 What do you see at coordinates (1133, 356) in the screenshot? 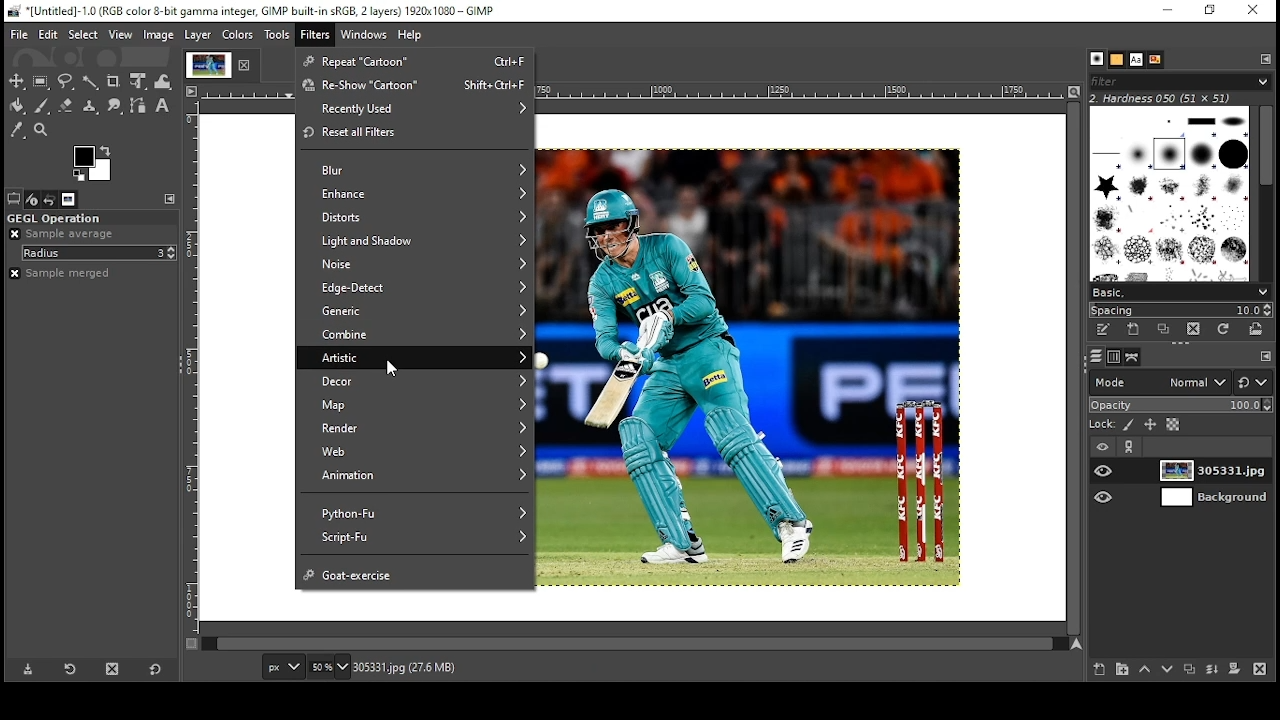
I see `paths` at bounding box center [1133, 356].